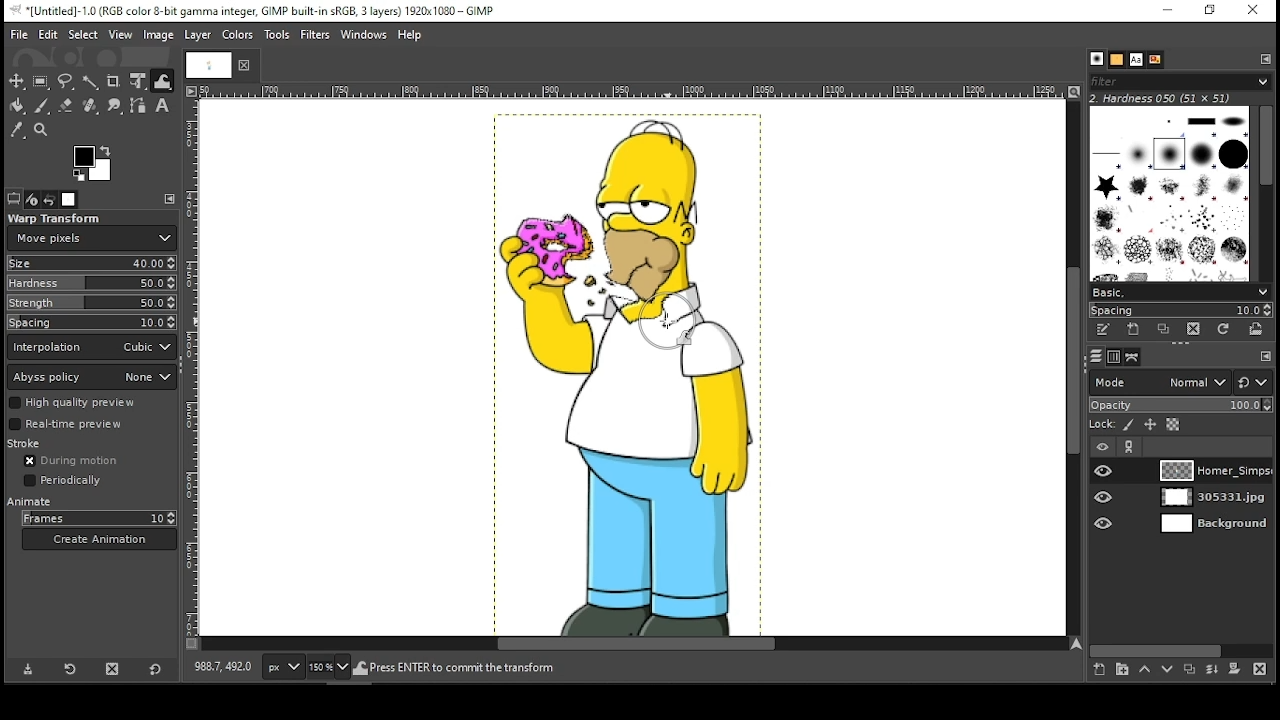  Describe the element at coordinates (1101, 671) in the screenshot. I see `create a new layer` at that location.